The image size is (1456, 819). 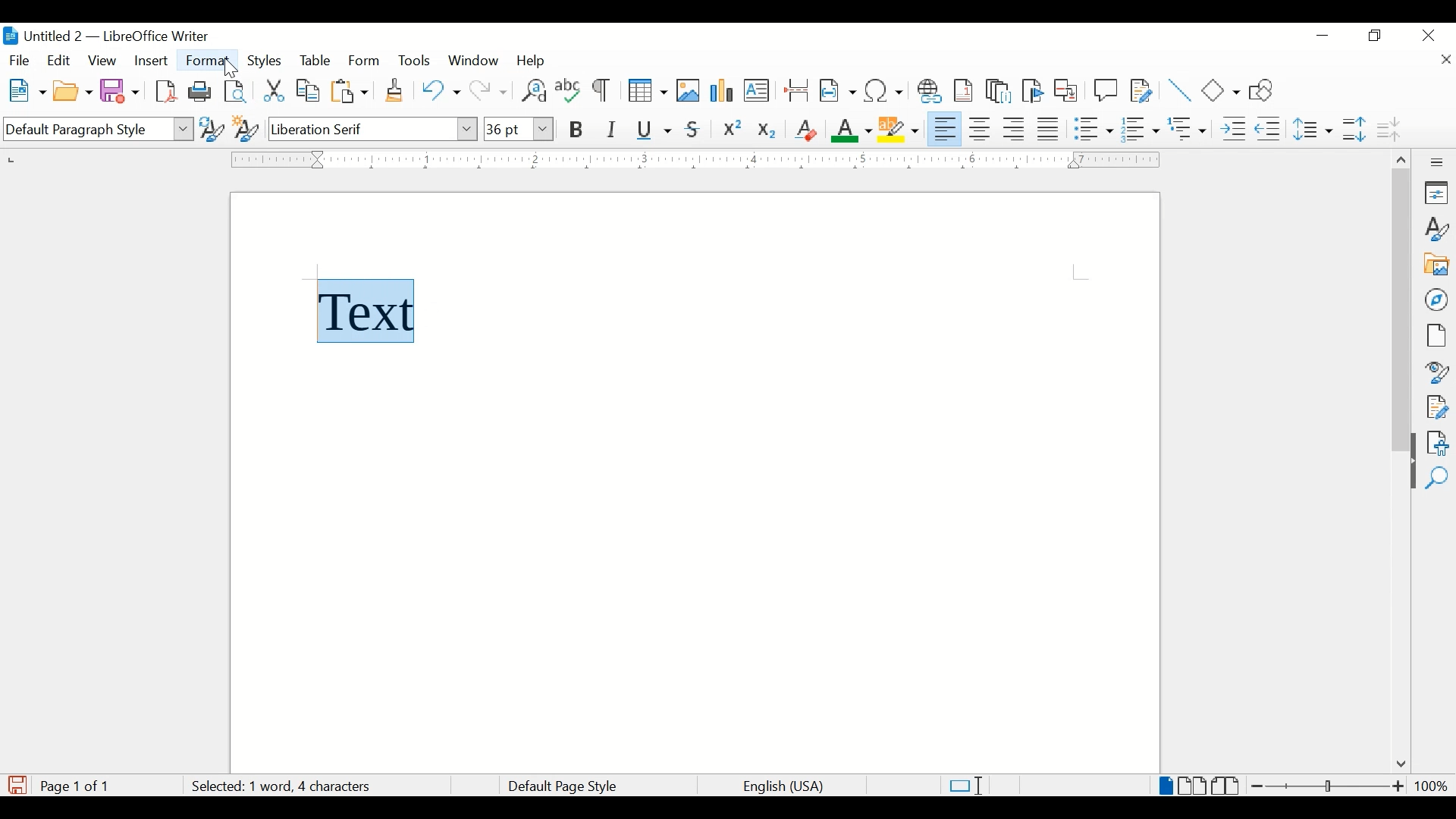 I want to click on style inspector, so click(x=1438, y=370).